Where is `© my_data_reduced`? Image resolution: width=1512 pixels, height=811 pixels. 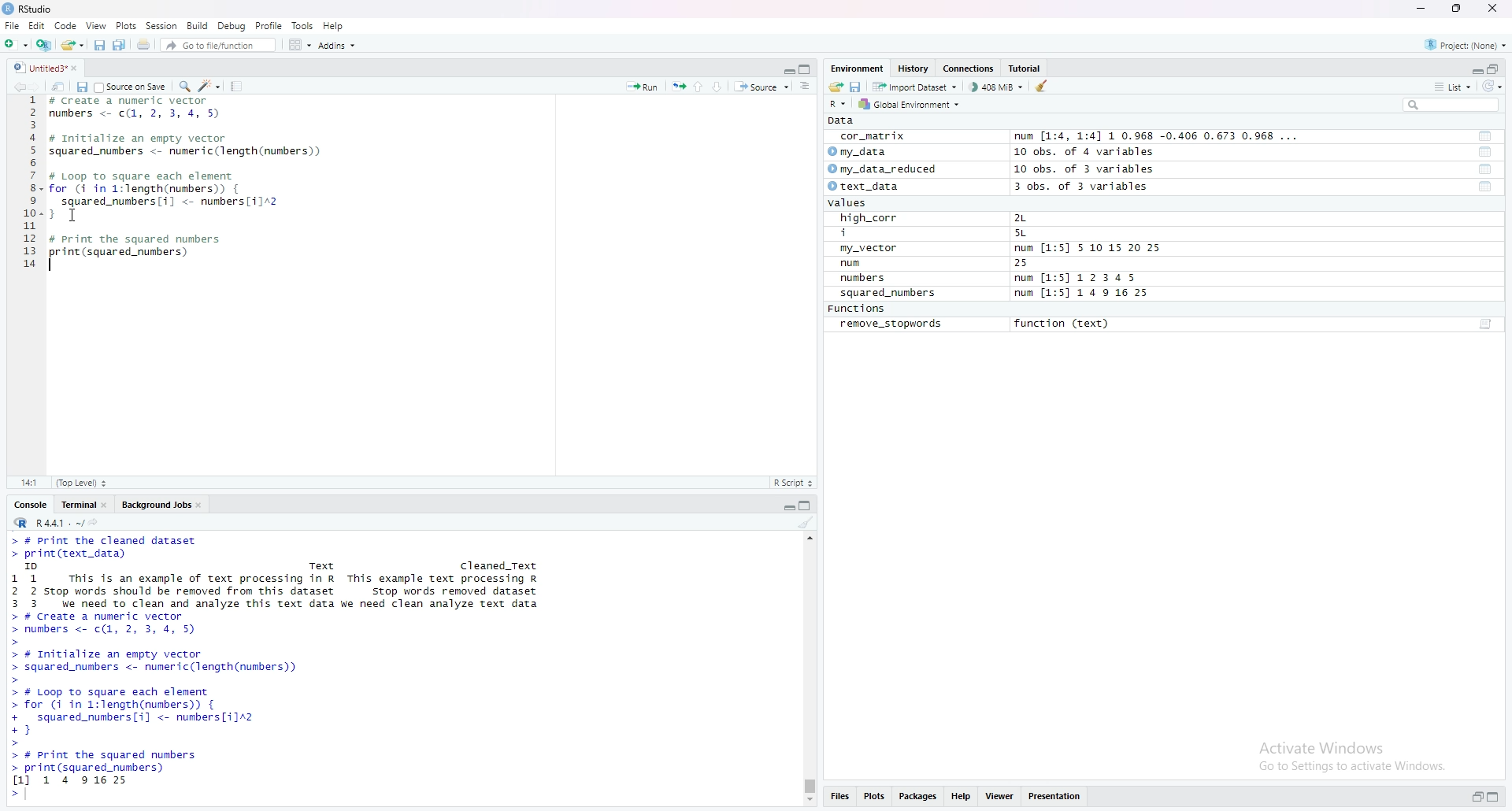 © my_data_reduced is located at coordinates (880, 169).